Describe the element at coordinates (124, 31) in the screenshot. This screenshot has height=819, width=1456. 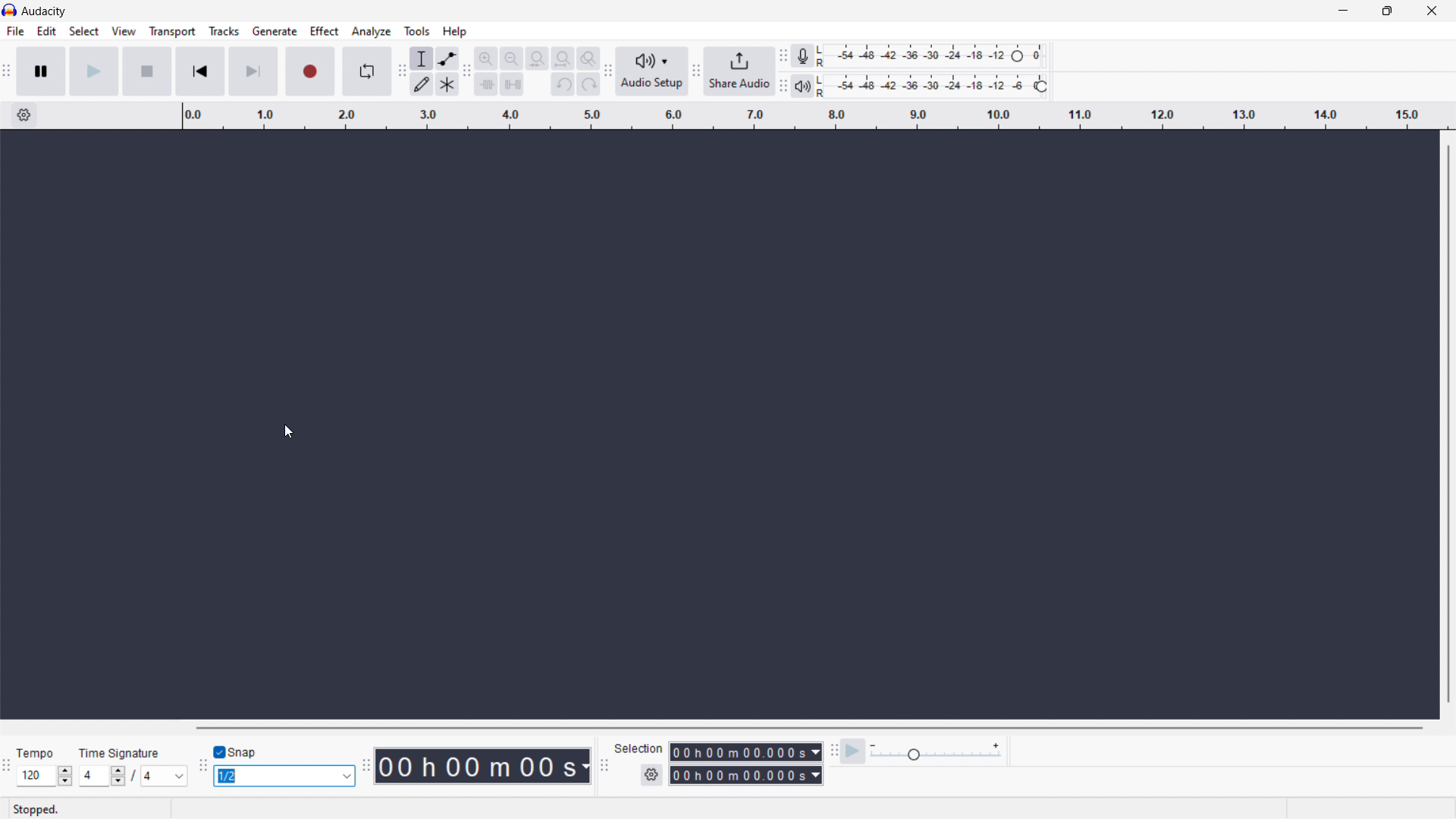
I see `view` at that location.